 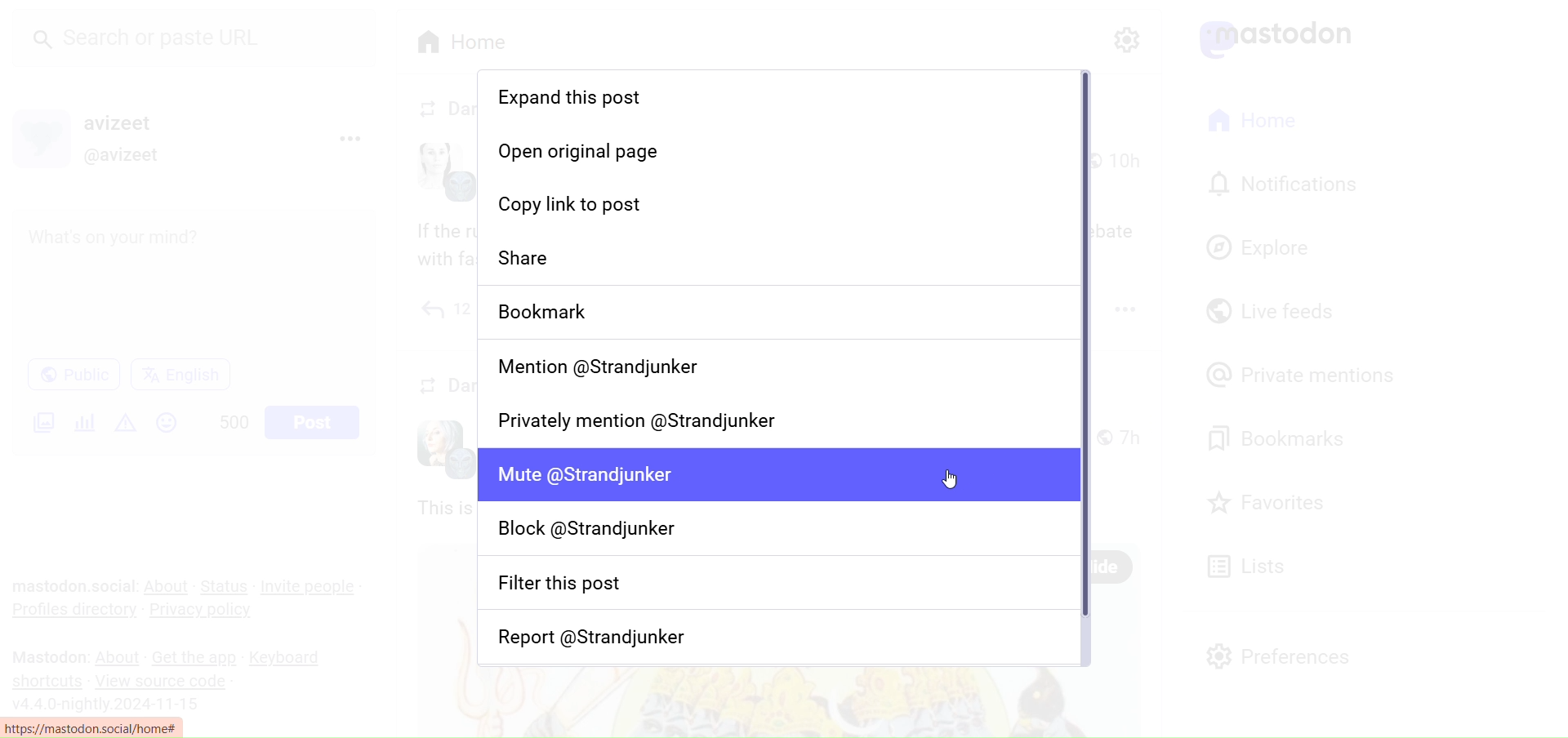 What do you see at coordinates (777, 474) in the screenshot?
I see `Mute user` at bounding box center [777, 474].